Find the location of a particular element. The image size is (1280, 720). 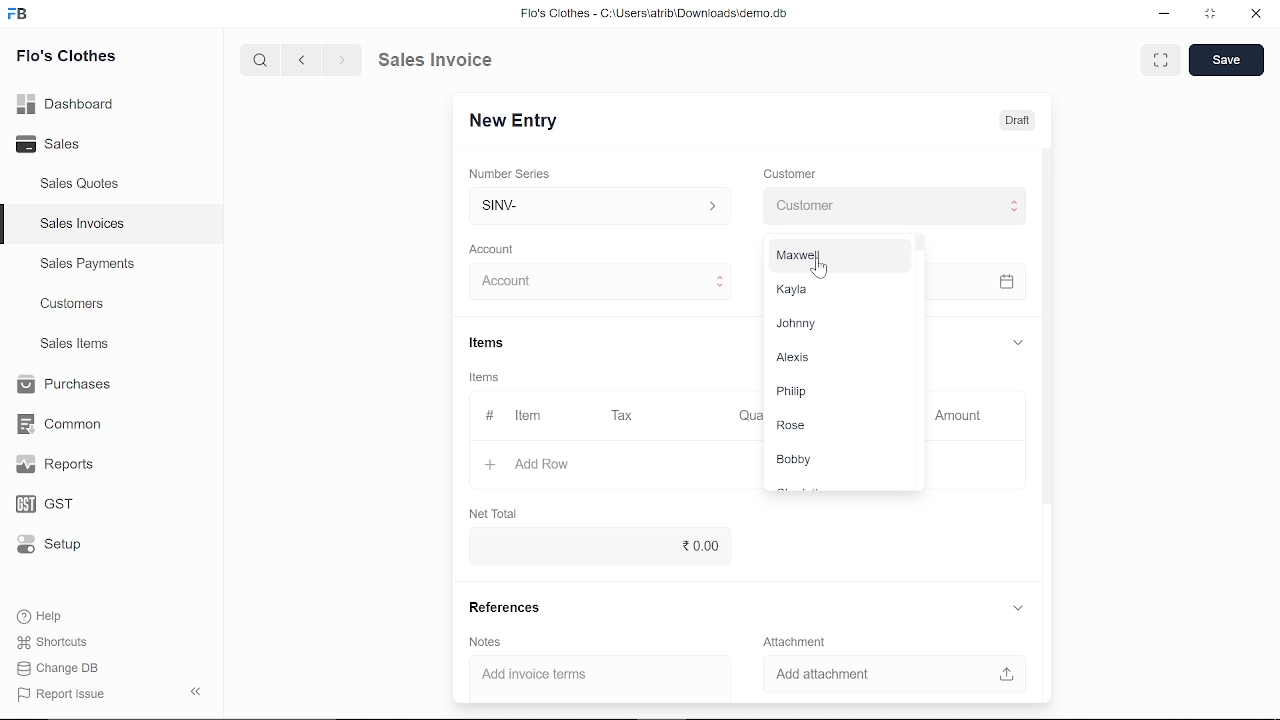

Shortcuts is located at coordinates (63, 643).